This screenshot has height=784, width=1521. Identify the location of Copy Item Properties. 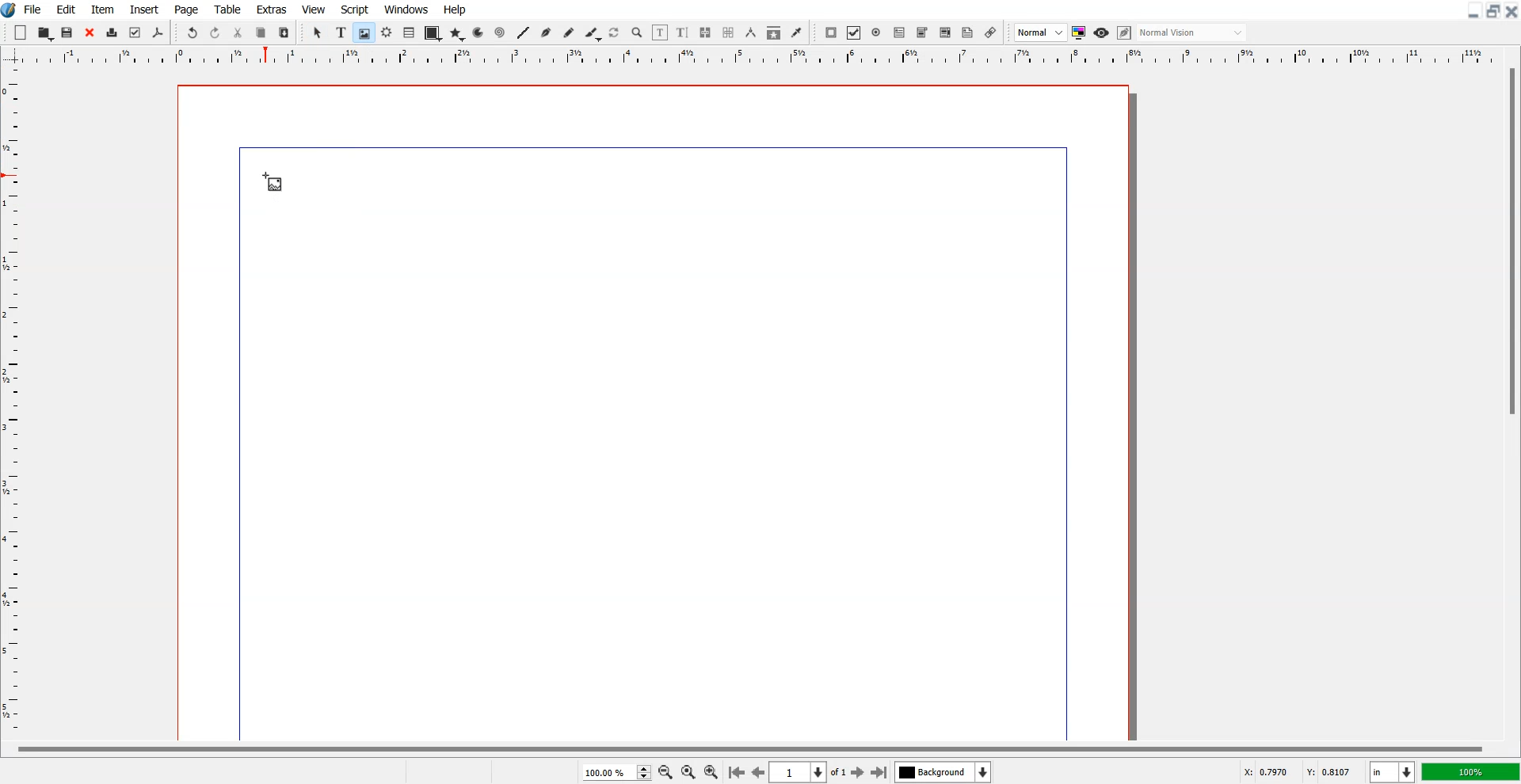
(773, 32).